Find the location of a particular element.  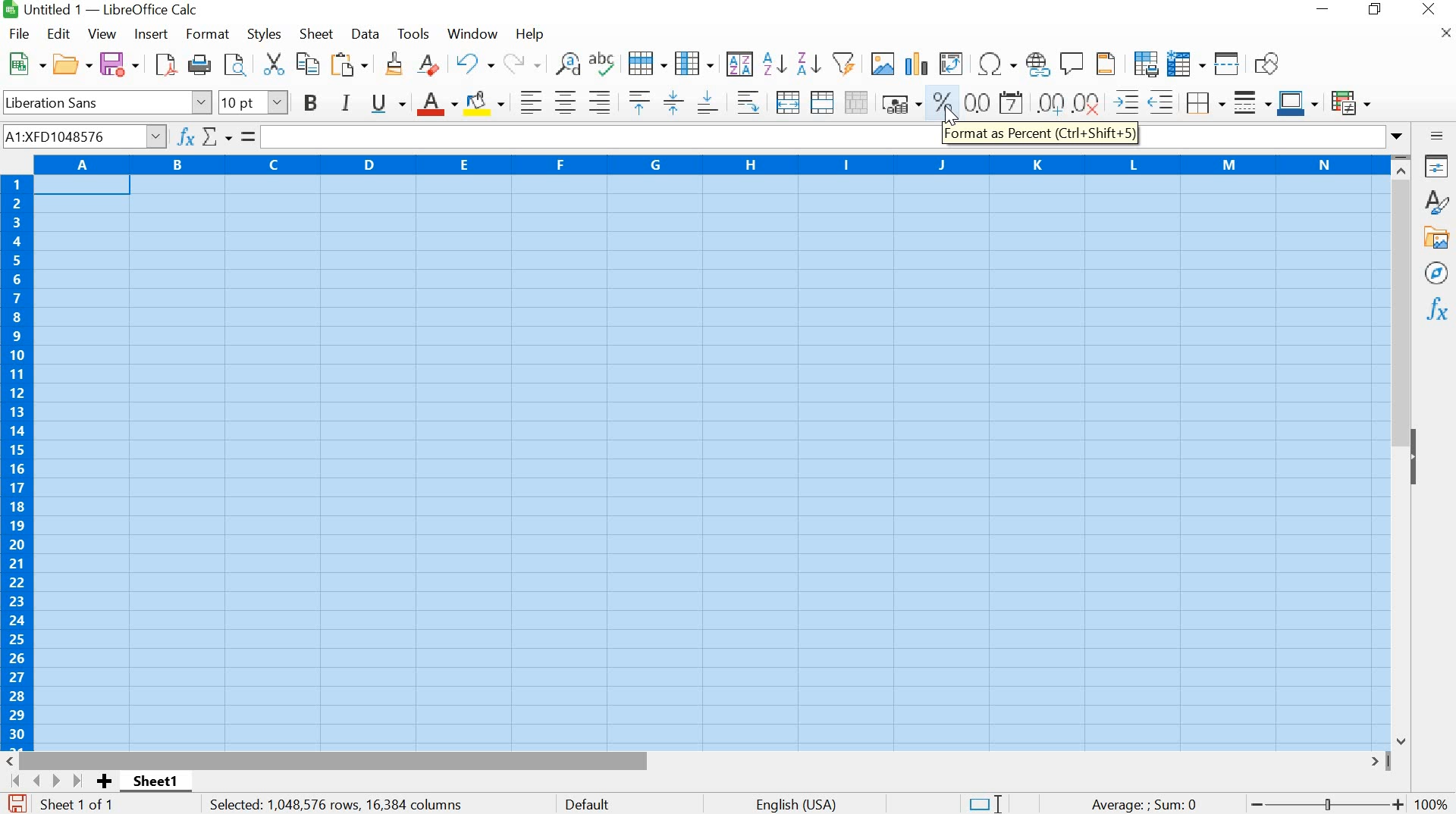

Border Color is located at coordinates (1298, 103).